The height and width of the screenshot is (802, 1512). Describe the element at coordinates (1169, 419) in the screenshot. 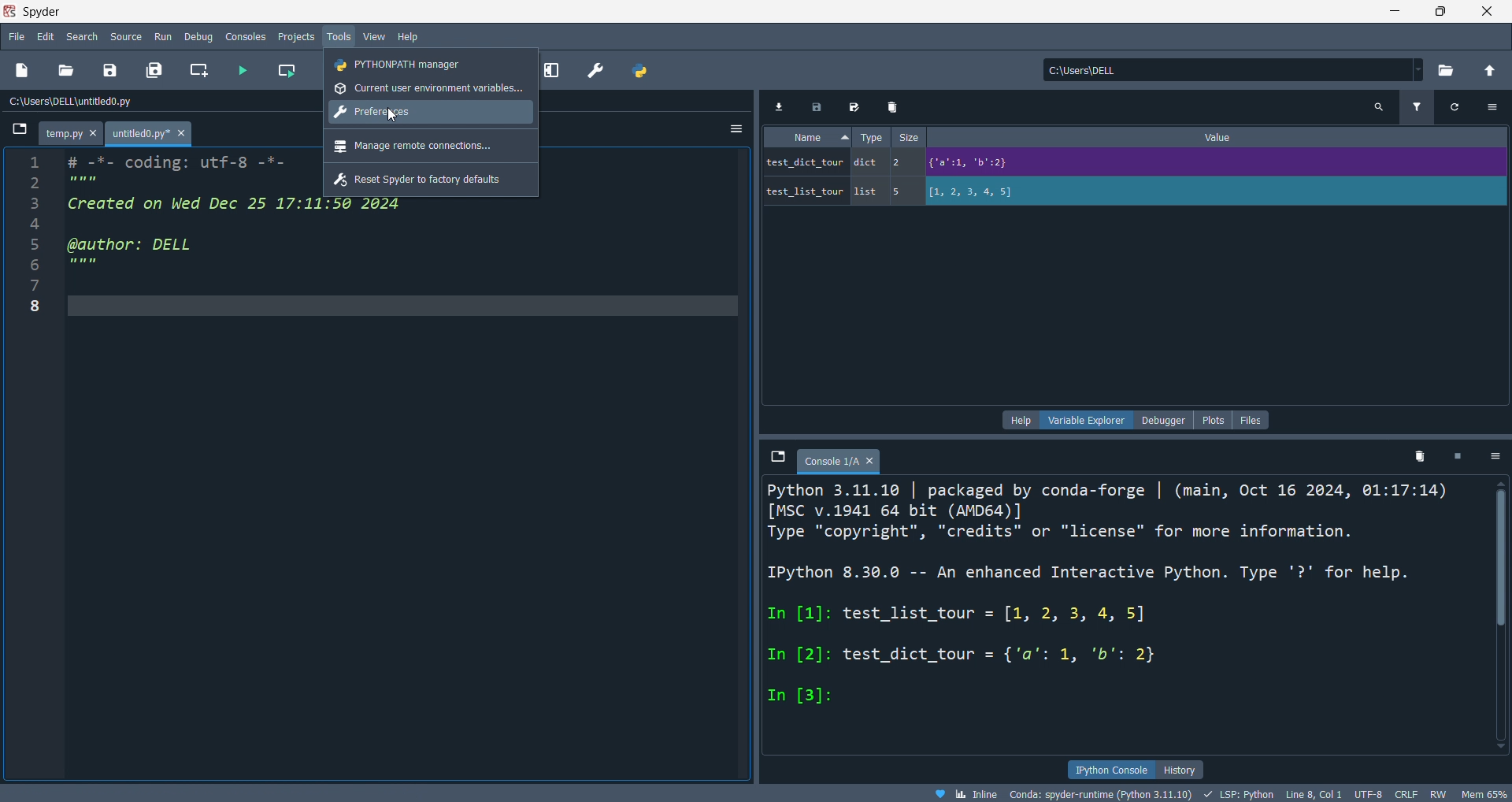

I see `debugger` at that location.